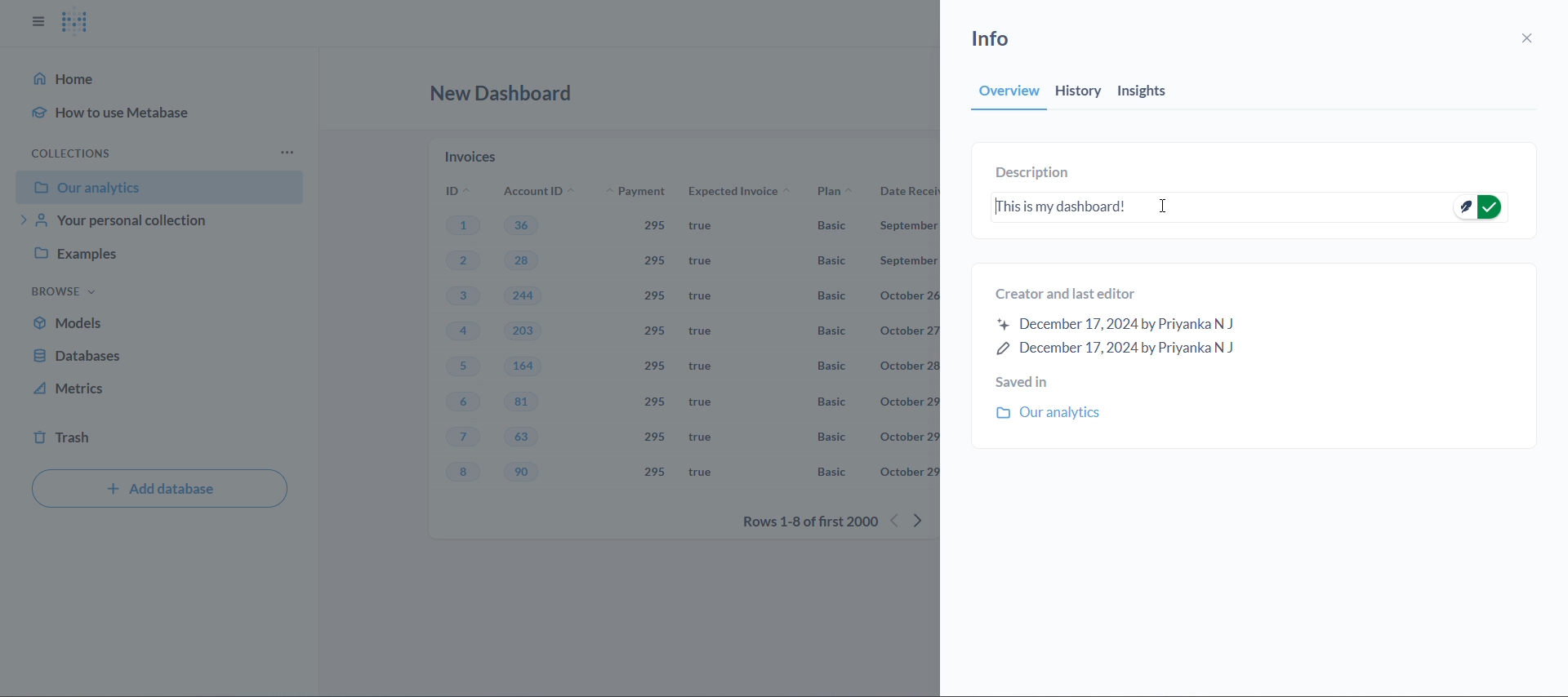 This screenshot has height=697, width=1568. Describe the element at coordinates (707, 297) in the screenshot. I see `true` at that location.